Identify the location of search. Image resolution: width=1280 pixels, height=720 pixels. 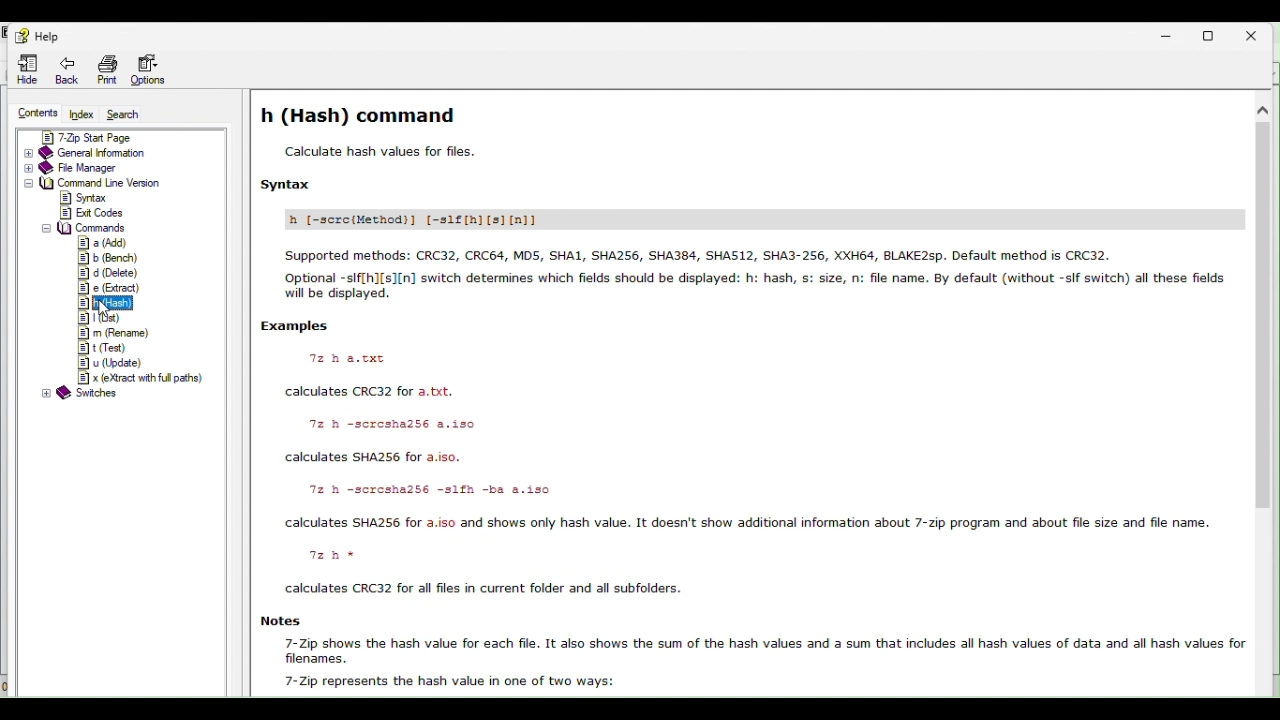
(130, 114).